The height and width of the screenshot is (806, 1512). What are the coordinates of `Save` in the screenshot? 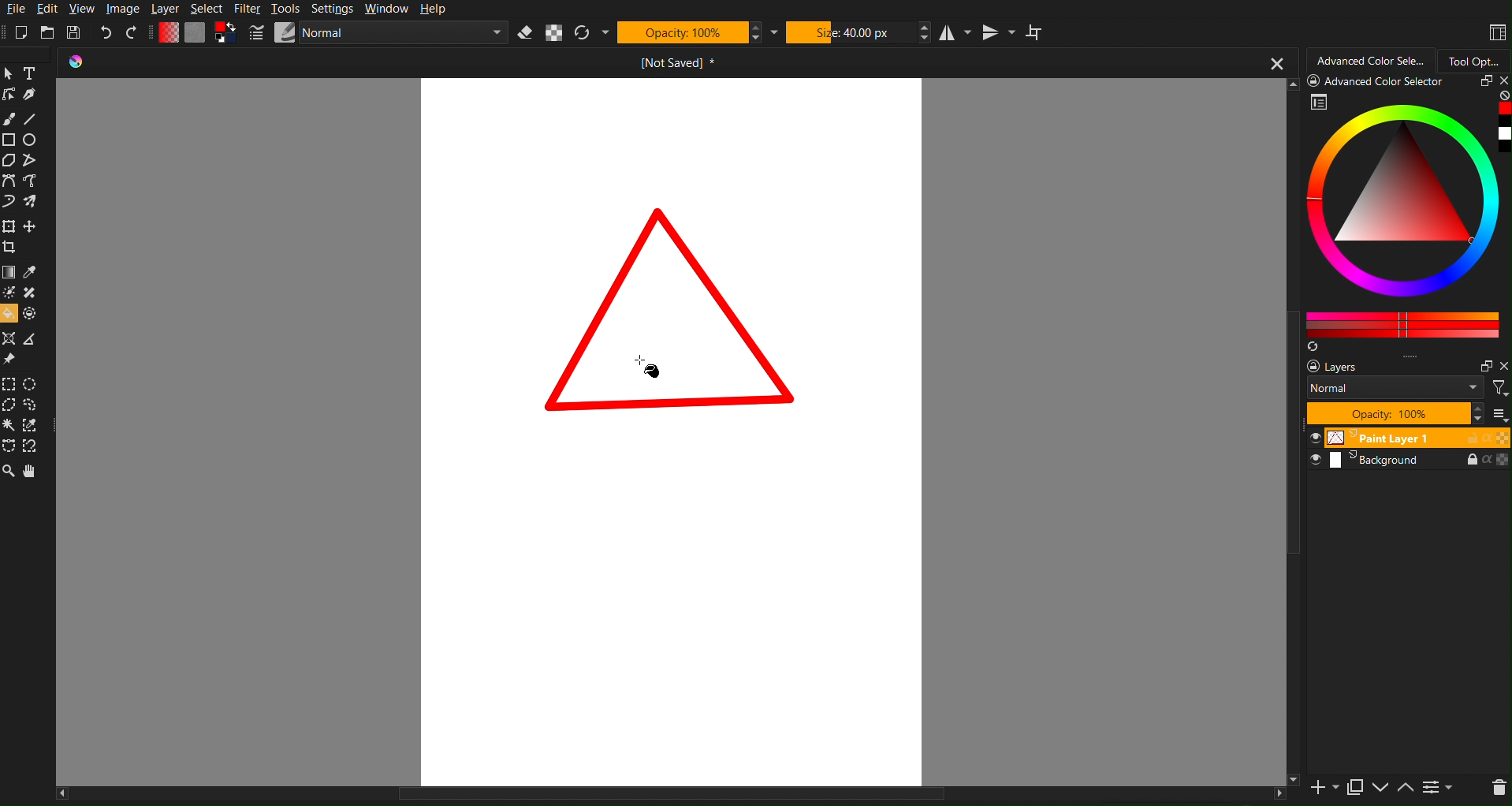 It's located at (76, 32).